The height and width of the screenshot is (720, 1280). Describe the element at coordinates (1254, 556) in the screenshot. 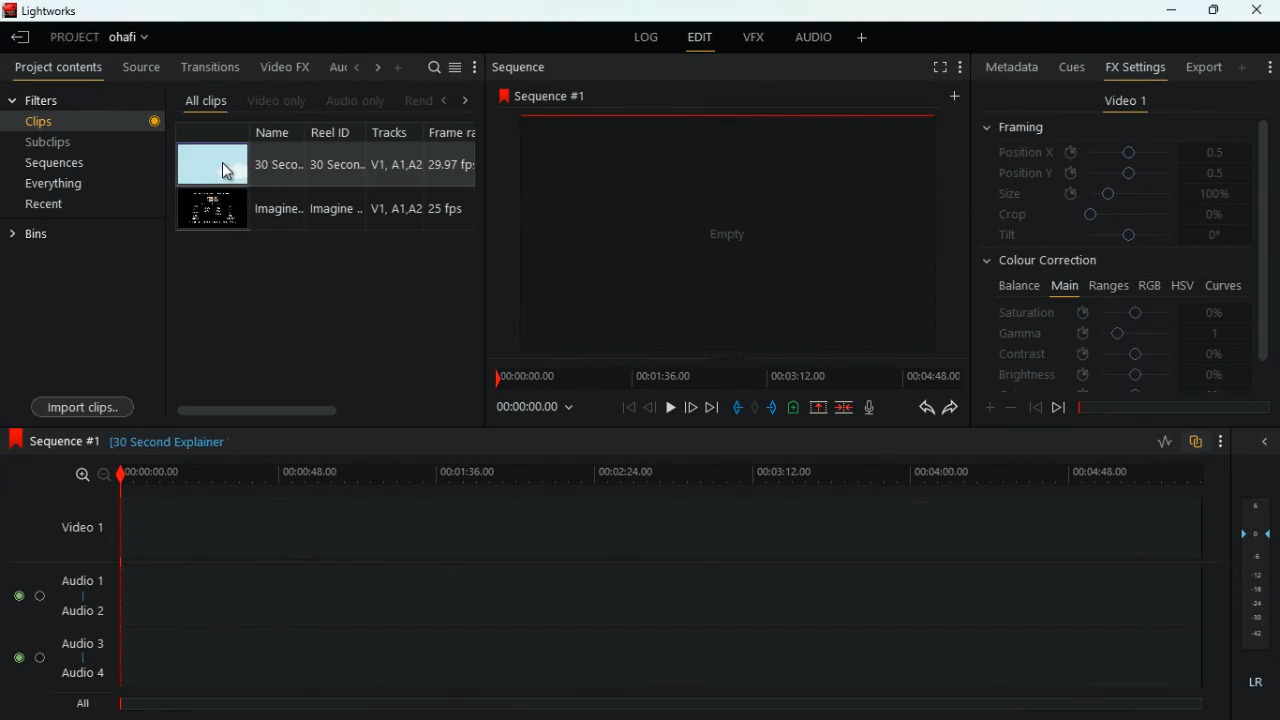

I see `-6 (layer)` at that location.